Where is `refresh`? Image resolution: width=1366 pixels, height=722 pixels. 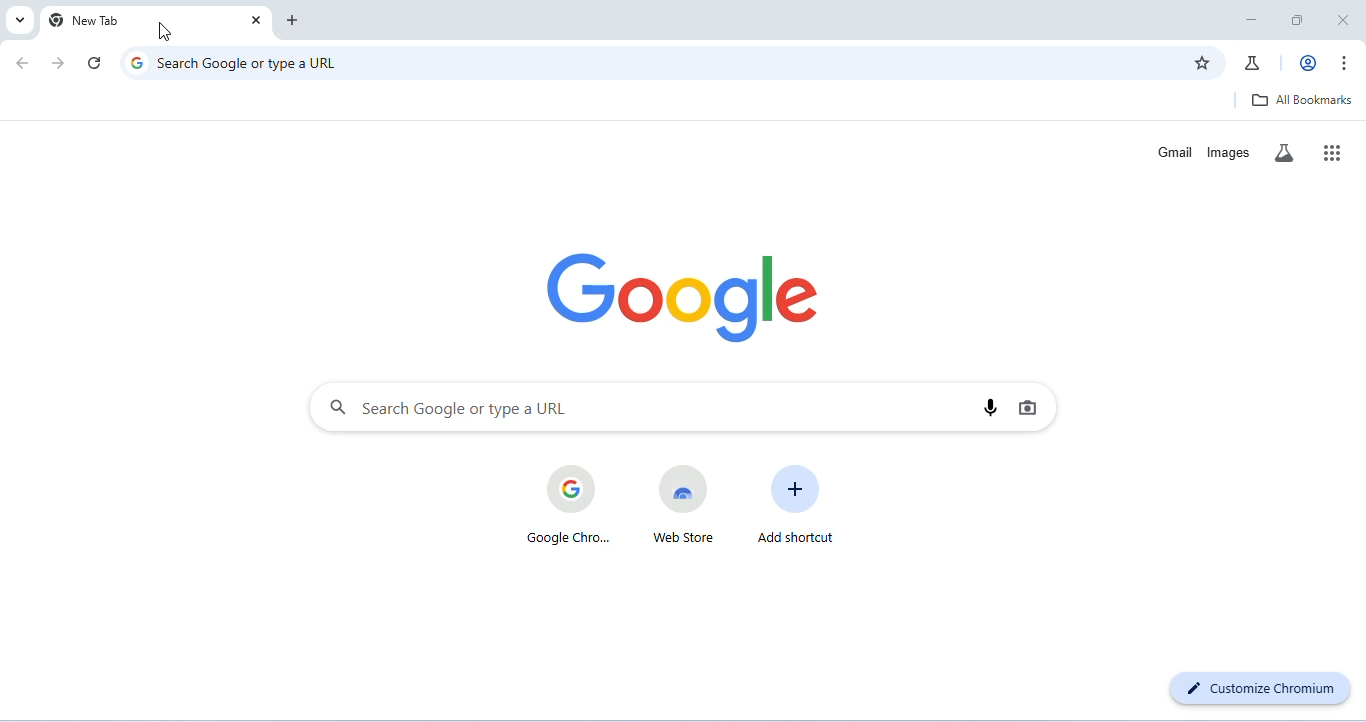 refresh is located at coordinates (97, 63).